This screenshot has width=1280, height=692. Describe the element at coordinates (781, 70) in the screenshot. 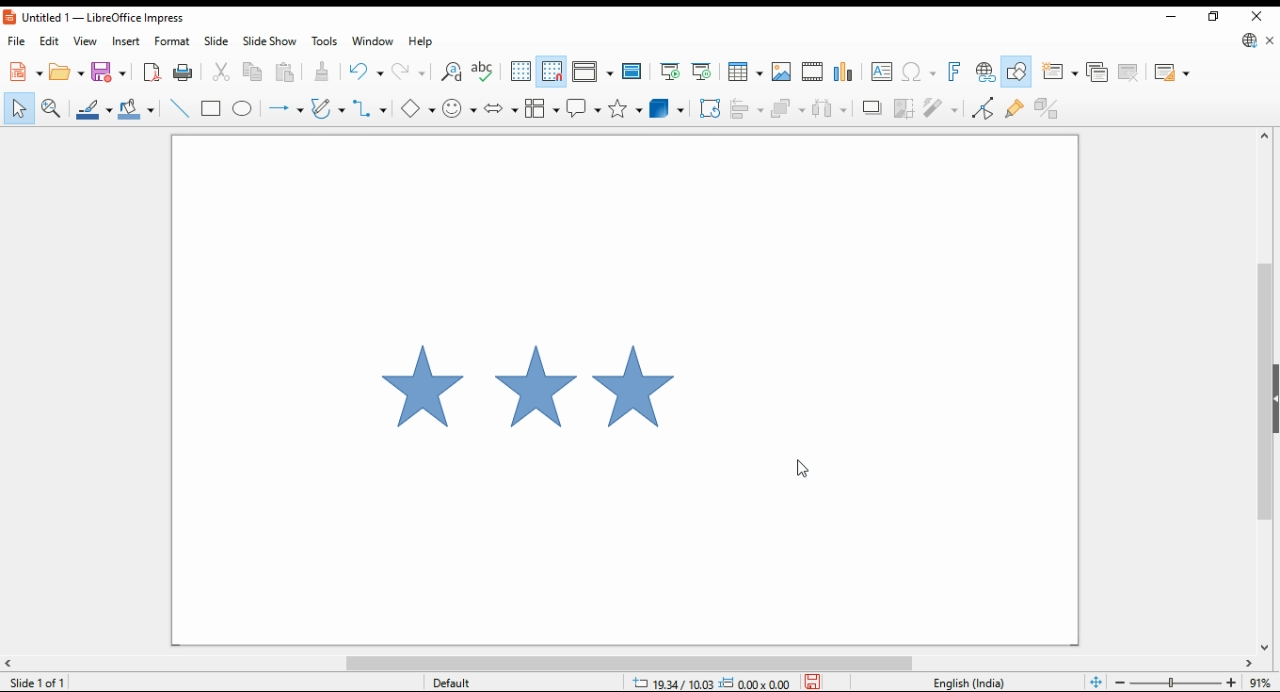

I see `insert image` at that location.